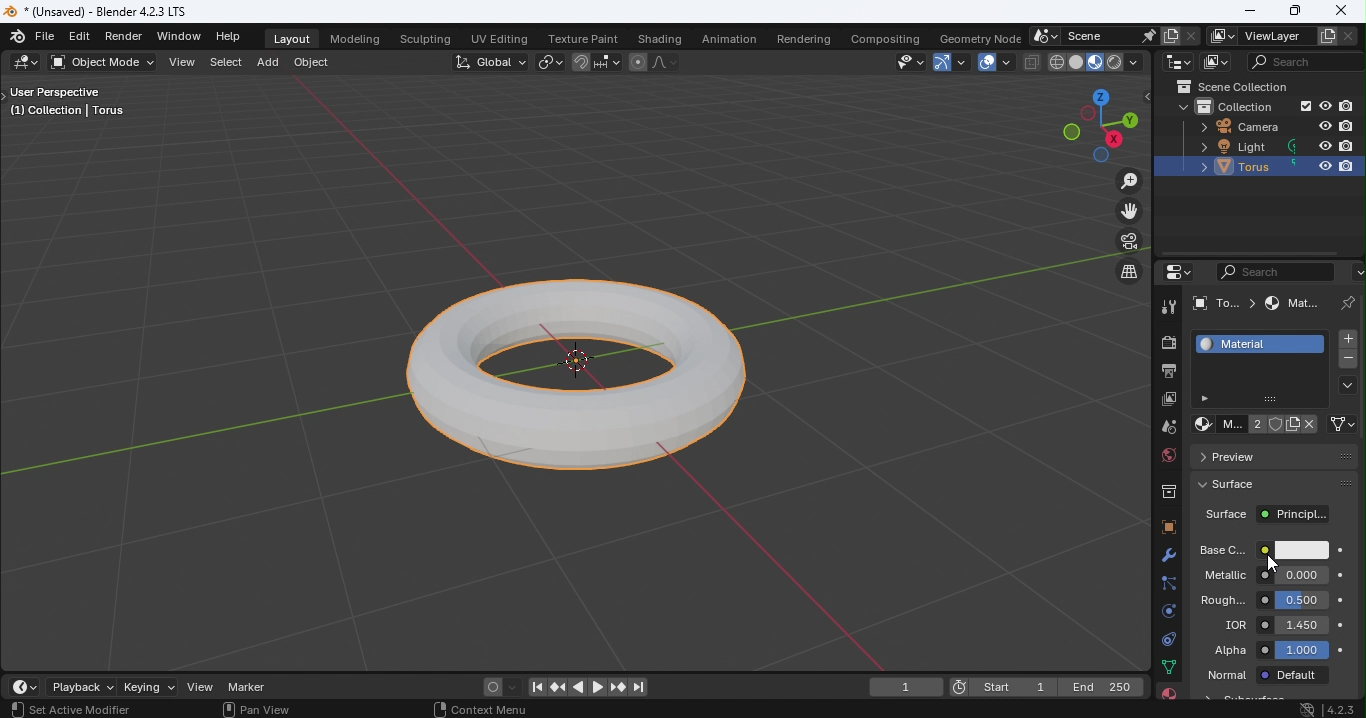 This screenshot has height=718, width=1366. Describe the element at coordinates (1344, 106) in the screenshot. I see `Disable in renders` at that location.